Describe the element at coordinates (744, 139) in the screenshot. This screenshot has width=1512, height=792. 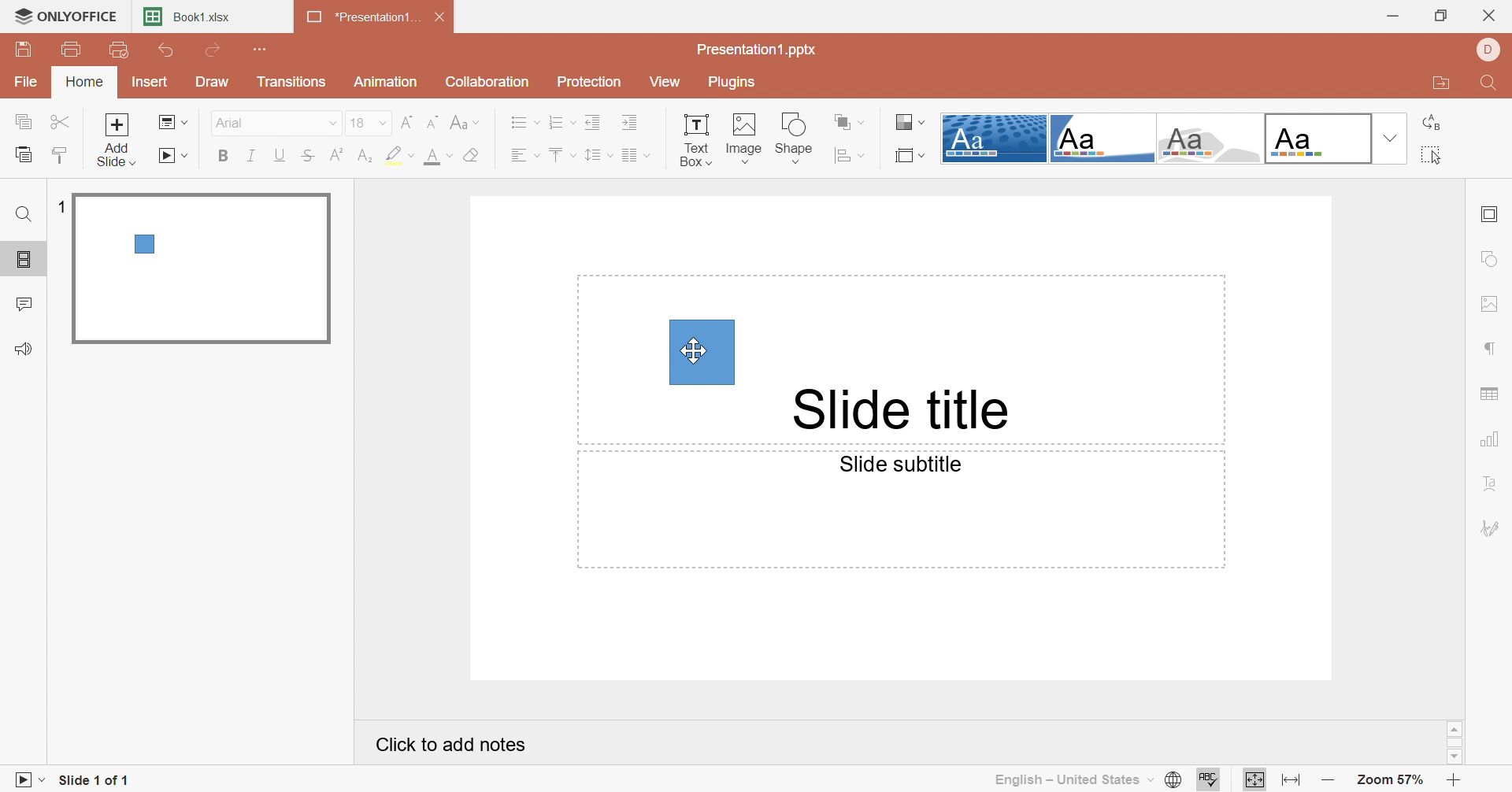
I see `Image` at that location.